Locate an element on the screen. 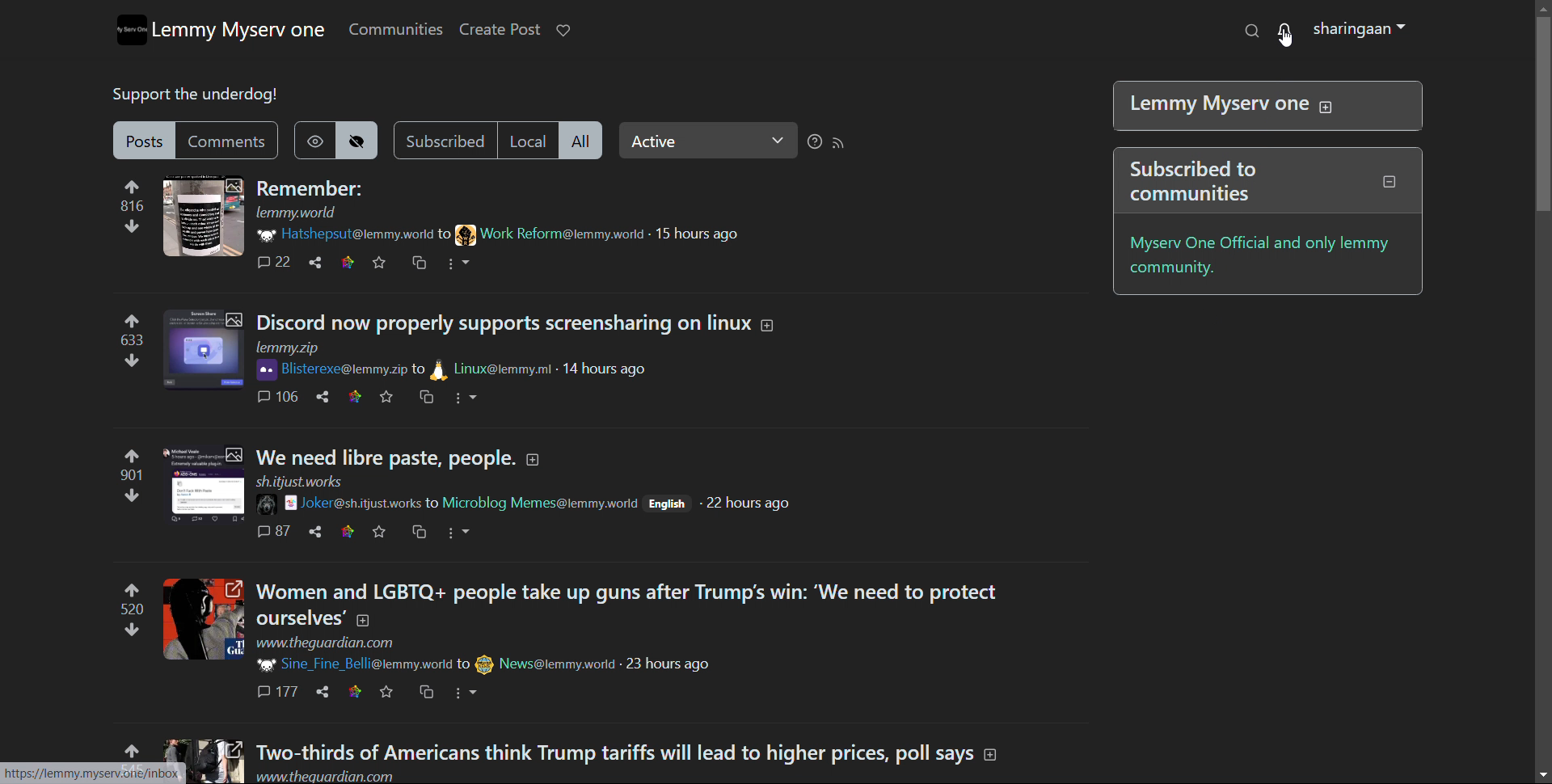  English (language) is located at coordinates (667, 503).